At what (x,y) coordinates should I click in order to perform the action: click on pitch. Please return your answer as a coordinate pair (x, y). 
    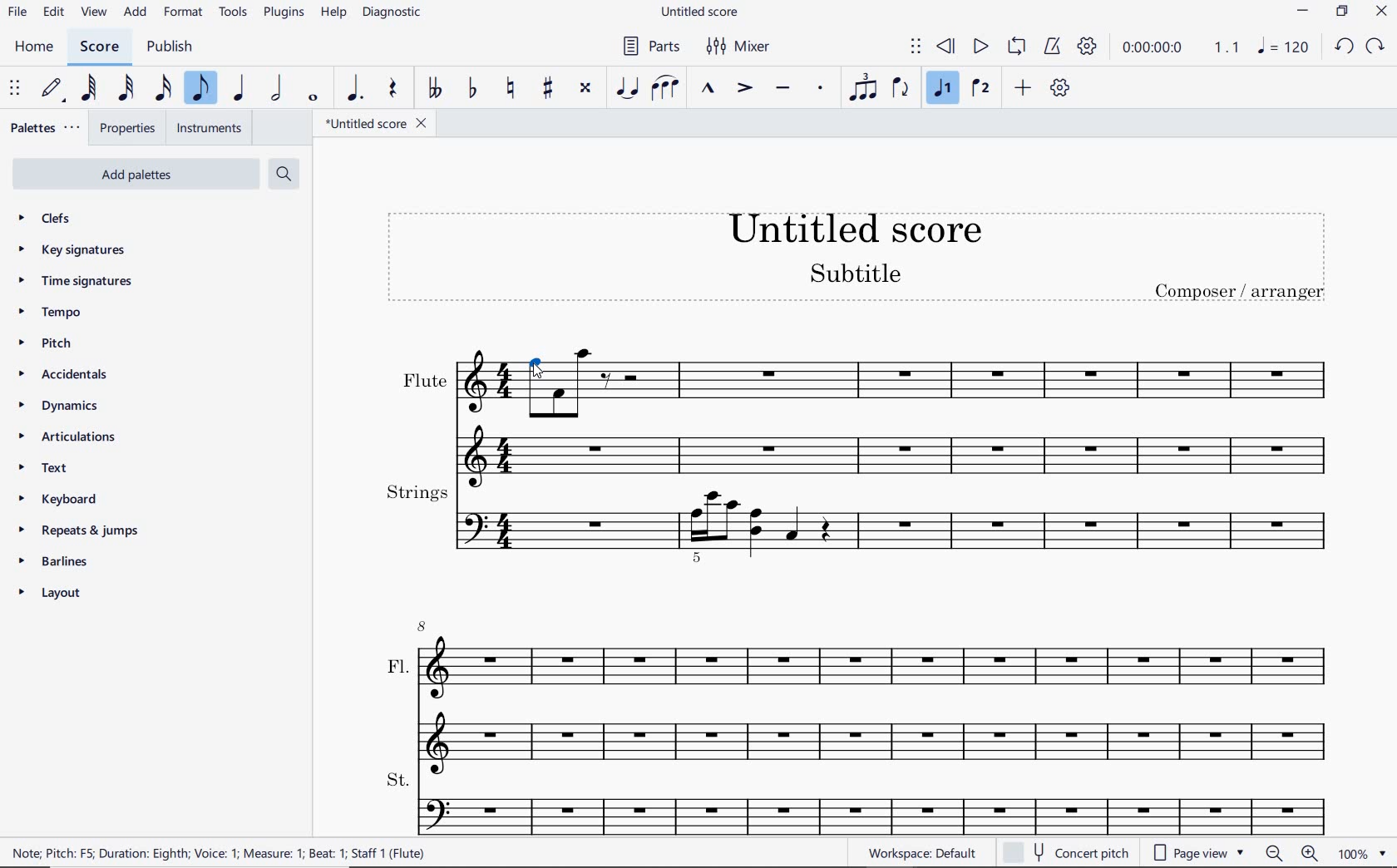
    Looking at the image, I should click on (48, 345).